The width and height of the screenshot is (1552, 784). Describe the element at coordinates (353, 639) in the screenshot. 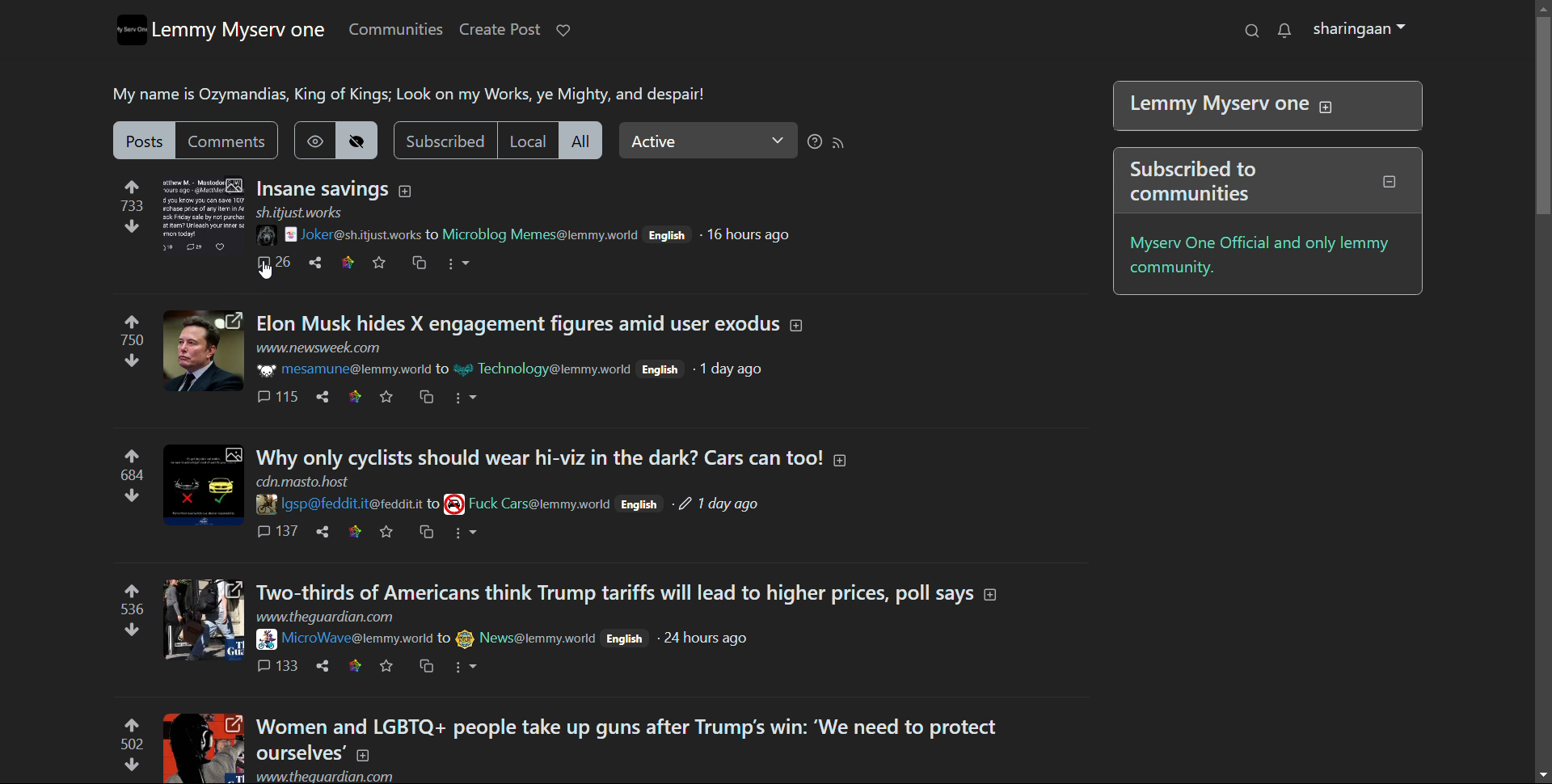

I see `username` at that location.